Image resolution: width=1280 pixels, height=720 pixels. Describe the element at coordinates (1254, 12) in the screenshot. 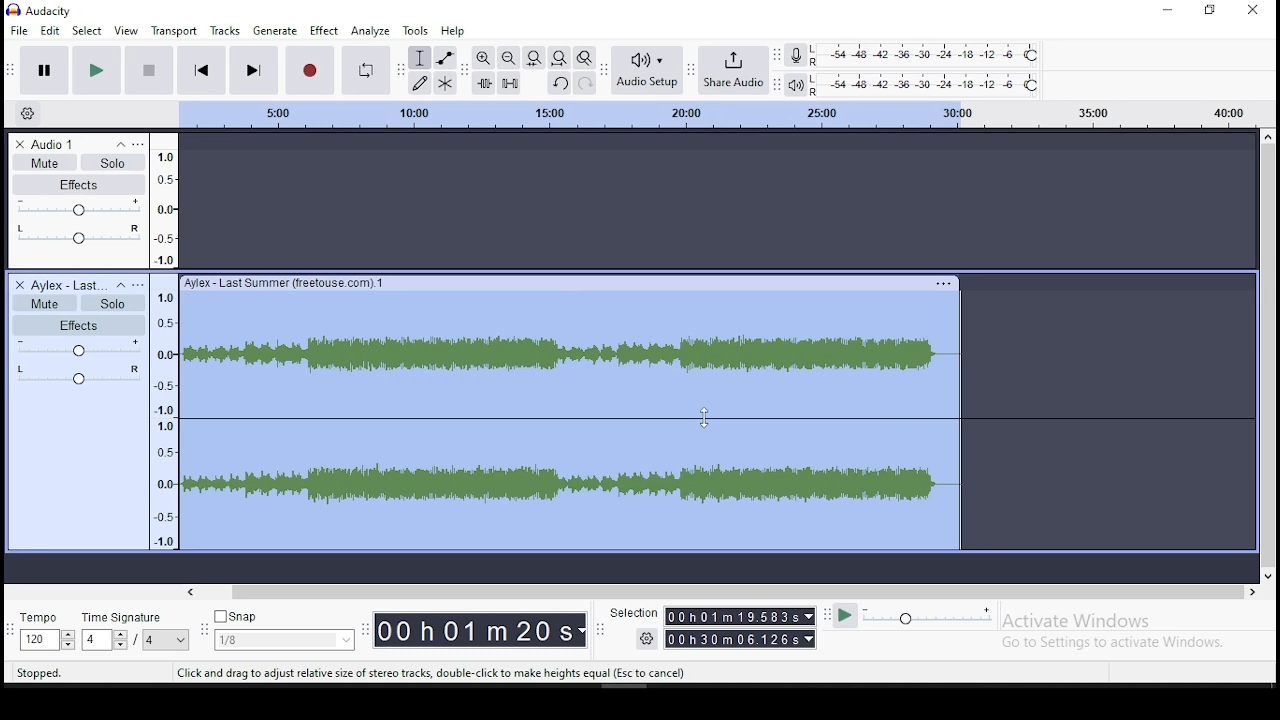

I see `close window` at that location.